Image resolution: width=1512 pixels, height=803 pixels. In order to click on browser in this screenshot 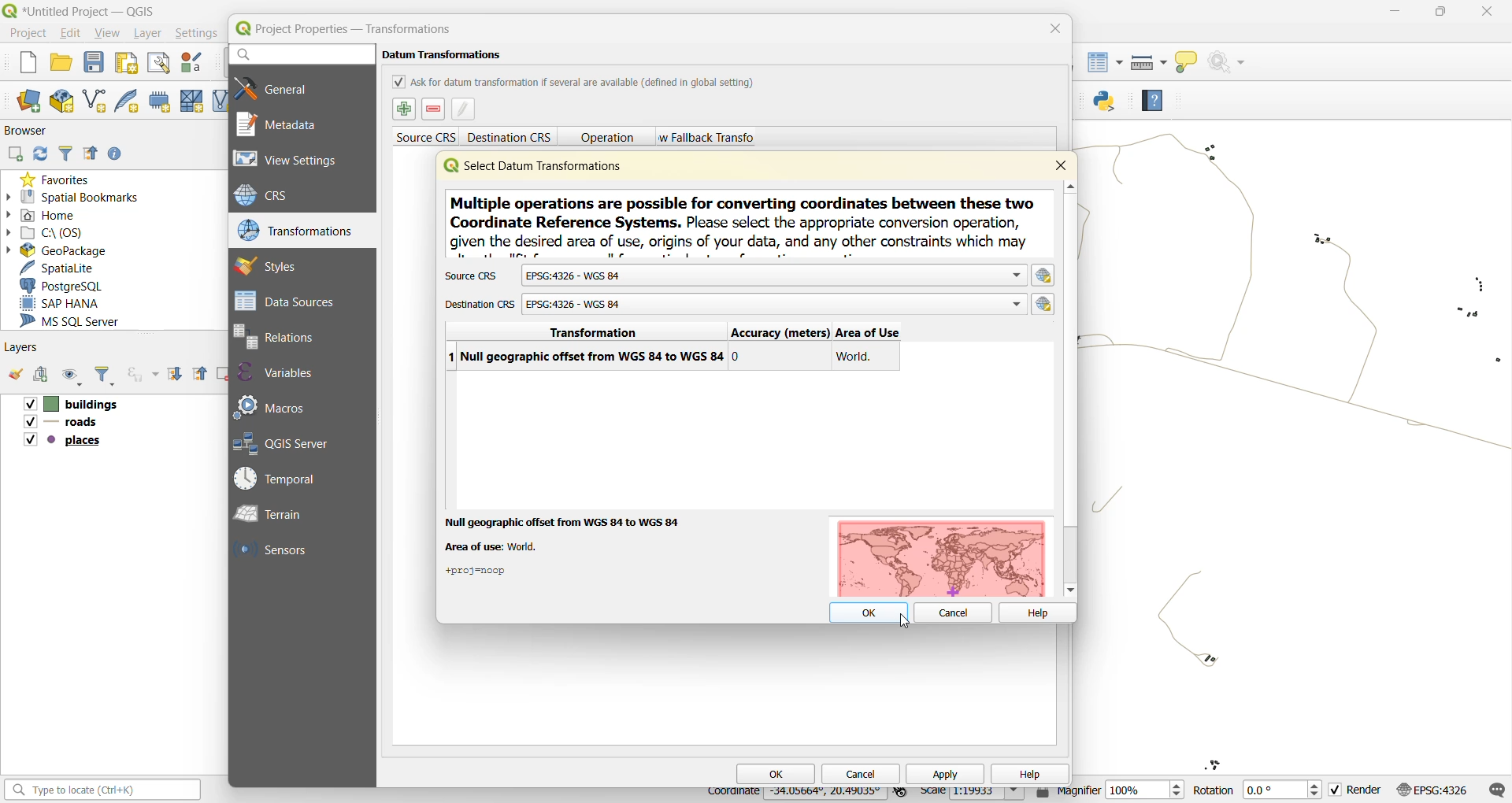, I will do `click(31, 133)`.